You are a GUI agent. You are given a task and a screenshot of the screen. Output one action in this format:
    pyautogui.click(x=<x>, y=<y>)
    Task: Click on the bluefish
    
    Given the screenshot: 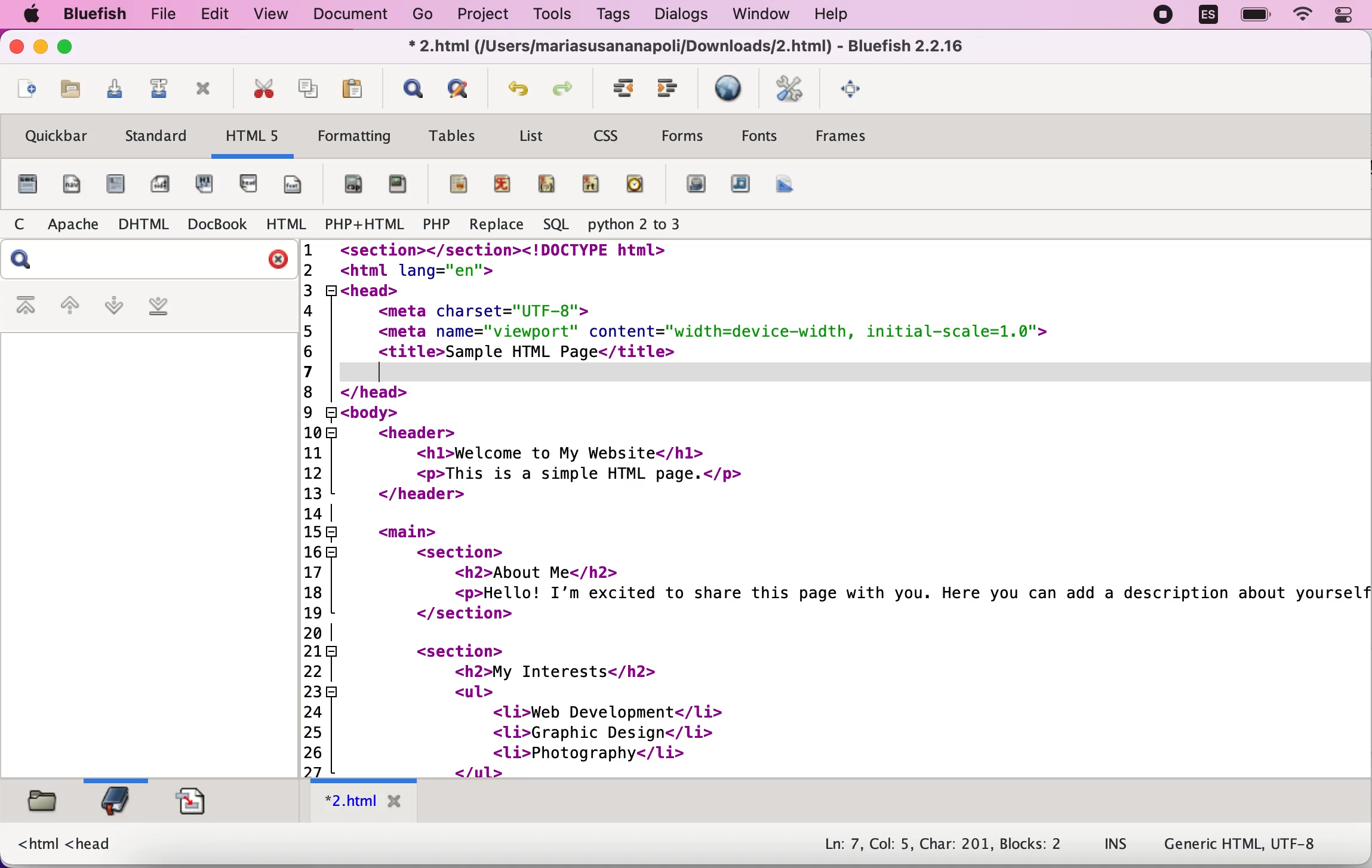 What is the action you would take?
    pyautogui.click(x=96, y=15)
    